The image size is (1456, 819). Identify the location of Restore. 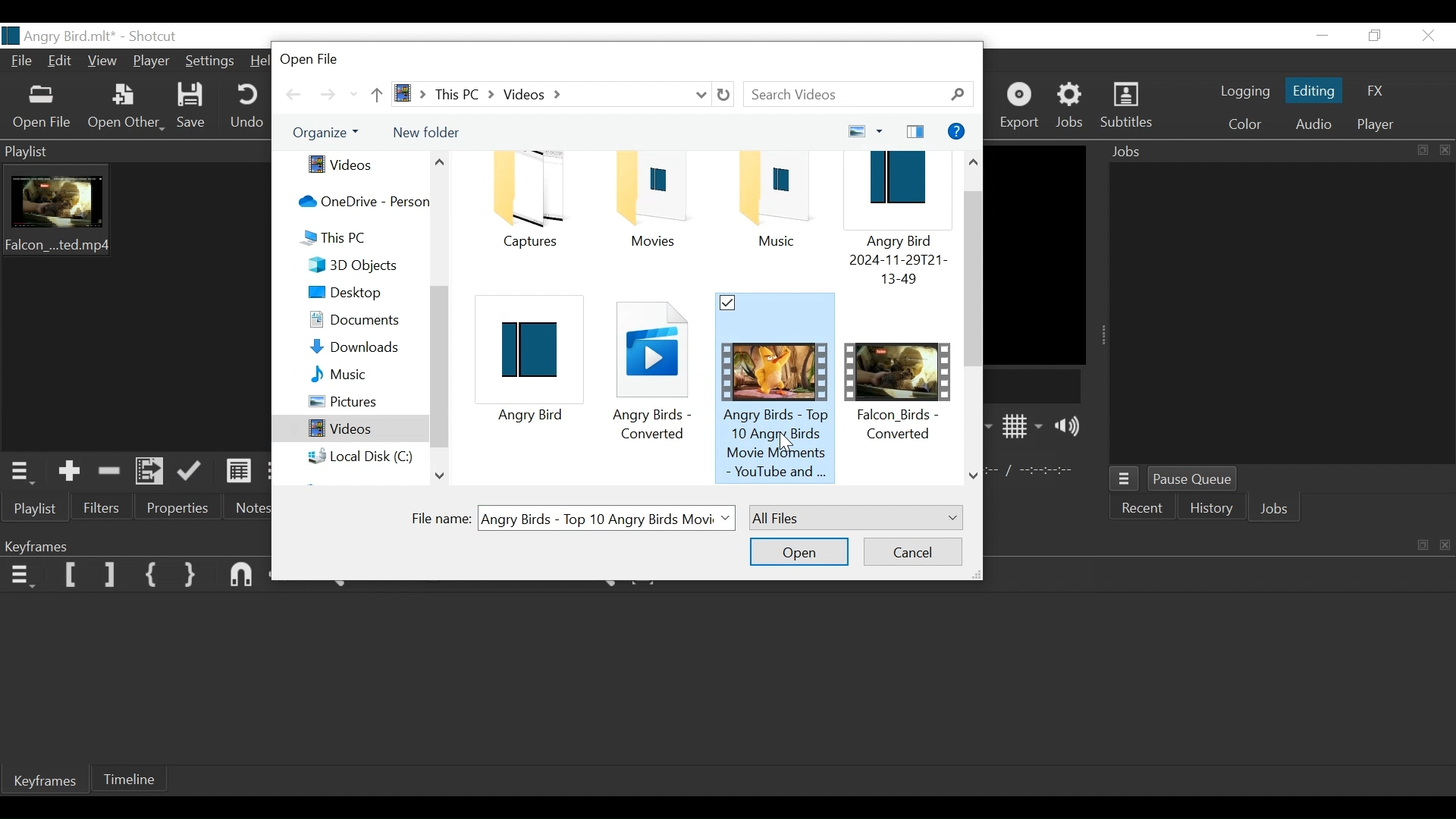
(1376, 36).